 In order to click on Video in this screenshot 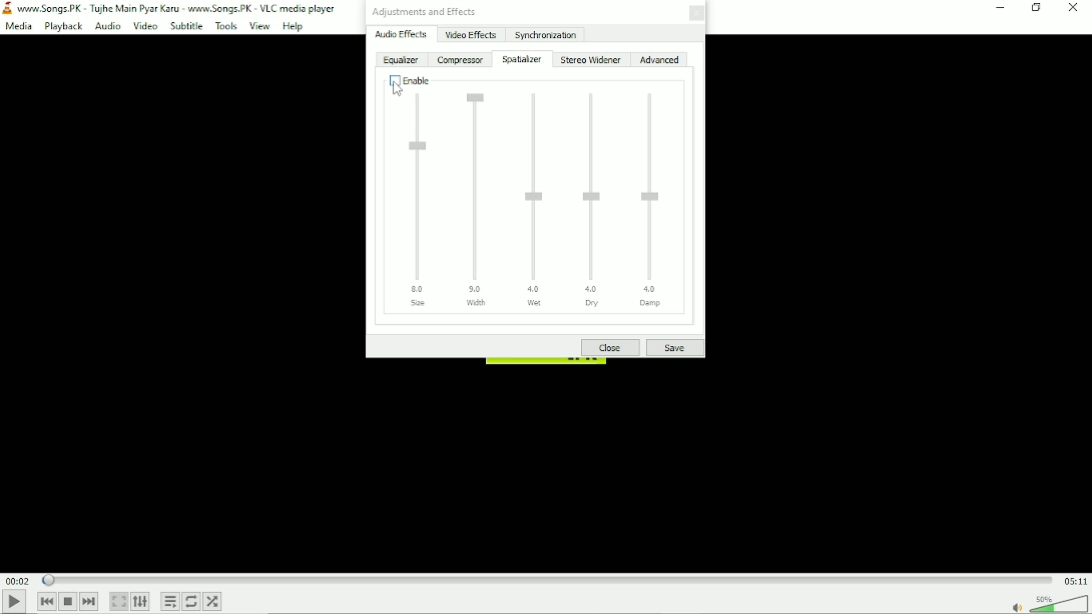, I will do `click(145, 26)`.